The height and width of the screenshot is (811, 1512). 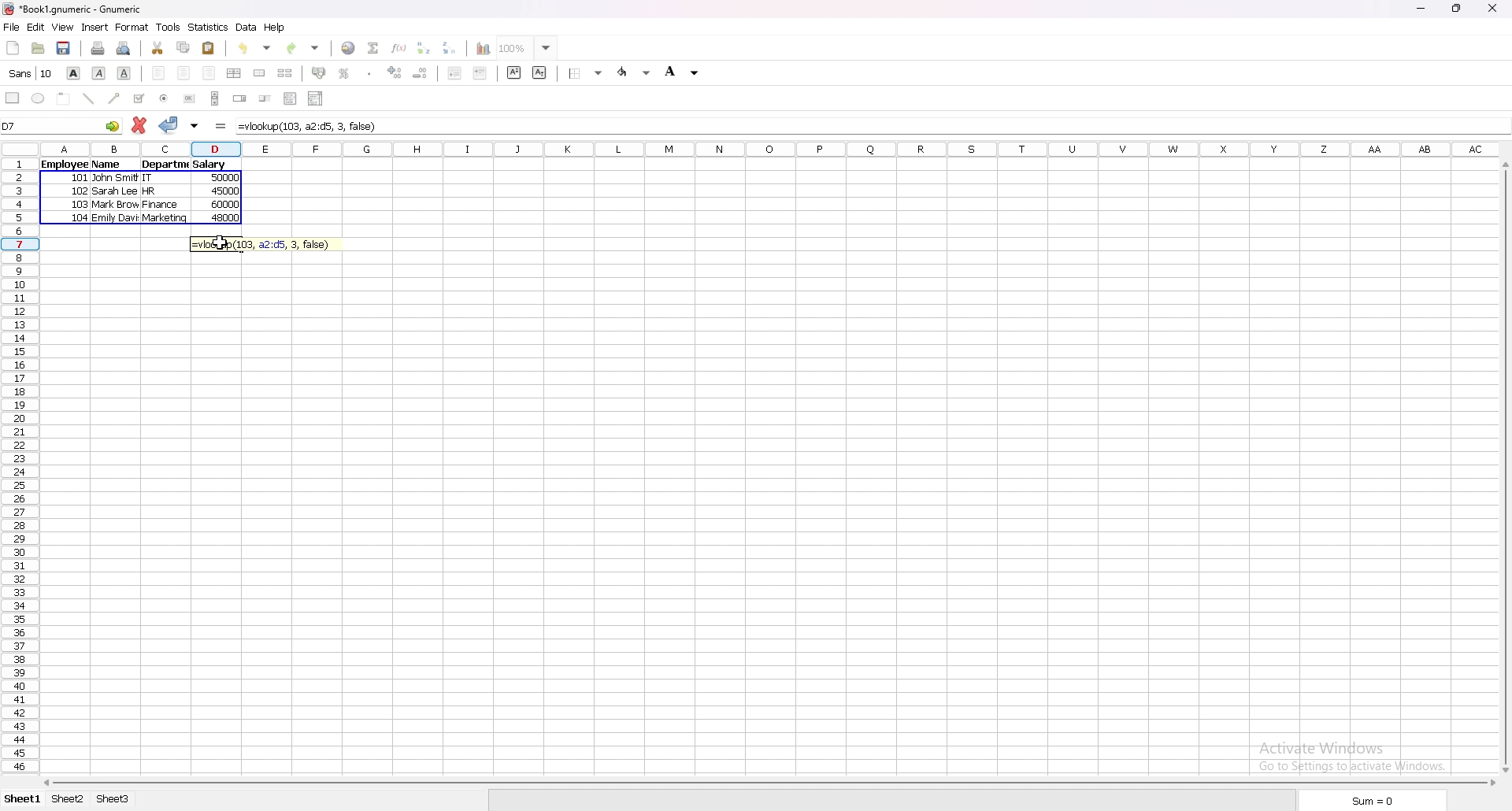 What do you see at coordinates (1458, 9) in the screenshot?
I see `resize` at bounding box center [1458, 9].